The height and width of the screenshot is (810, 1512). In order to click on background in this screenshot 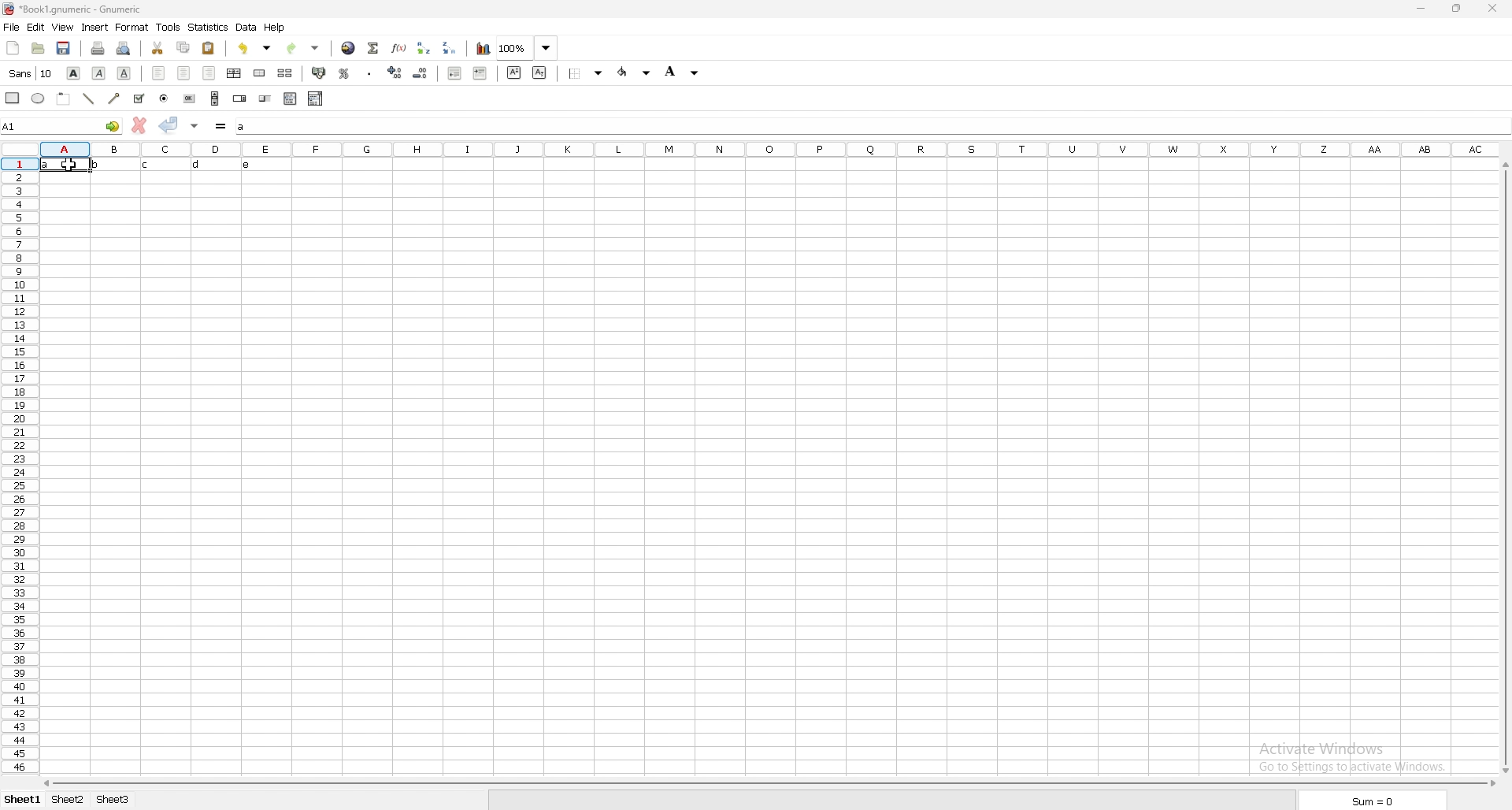, I will do `click(683, 71)`.